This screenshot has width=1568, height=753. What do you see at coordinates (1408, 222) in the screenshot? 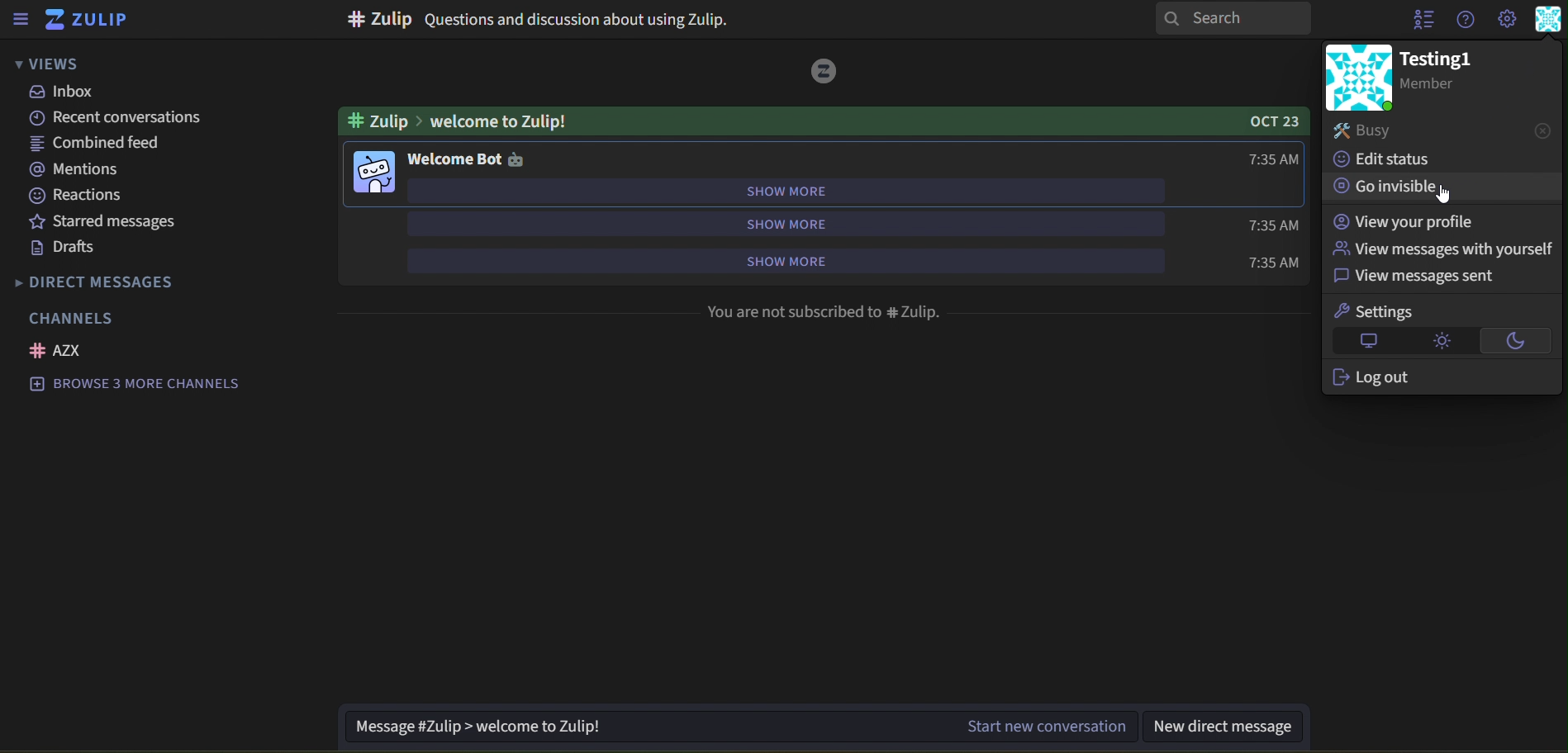
I see `view your profile` at bounding box center [1408, 222].